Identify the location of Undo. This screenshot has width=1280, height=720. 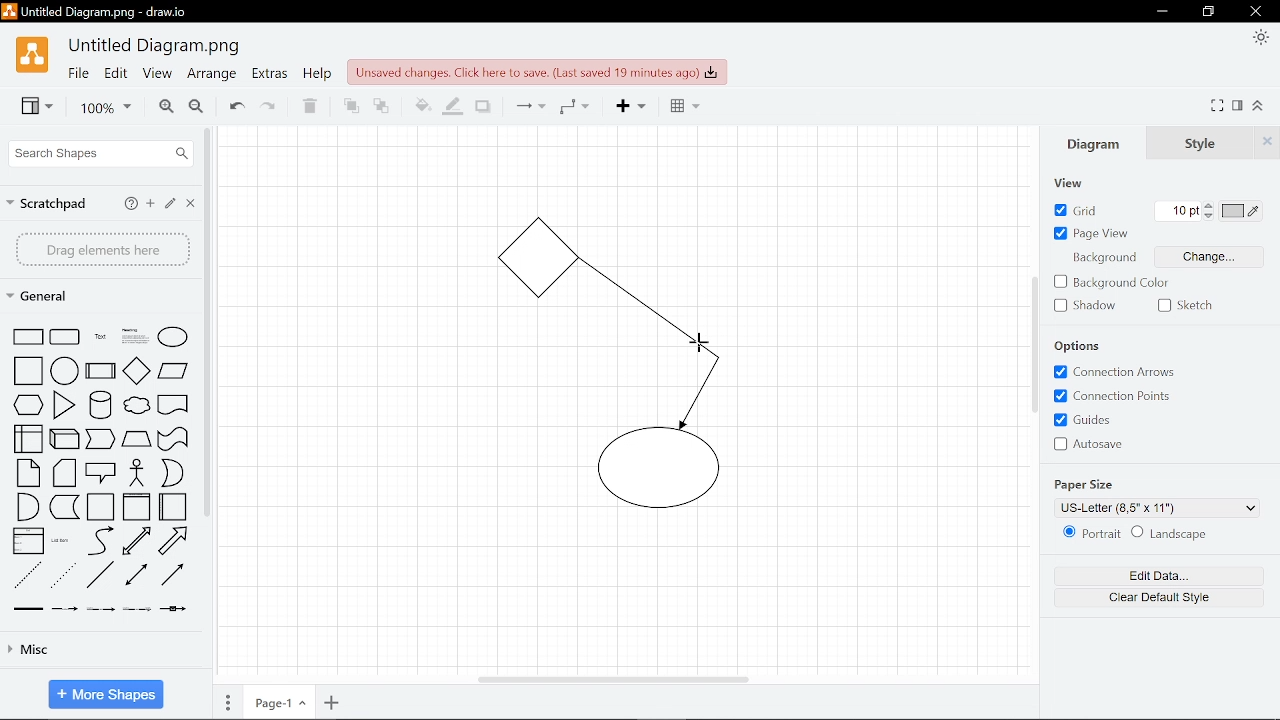
(234, 106).